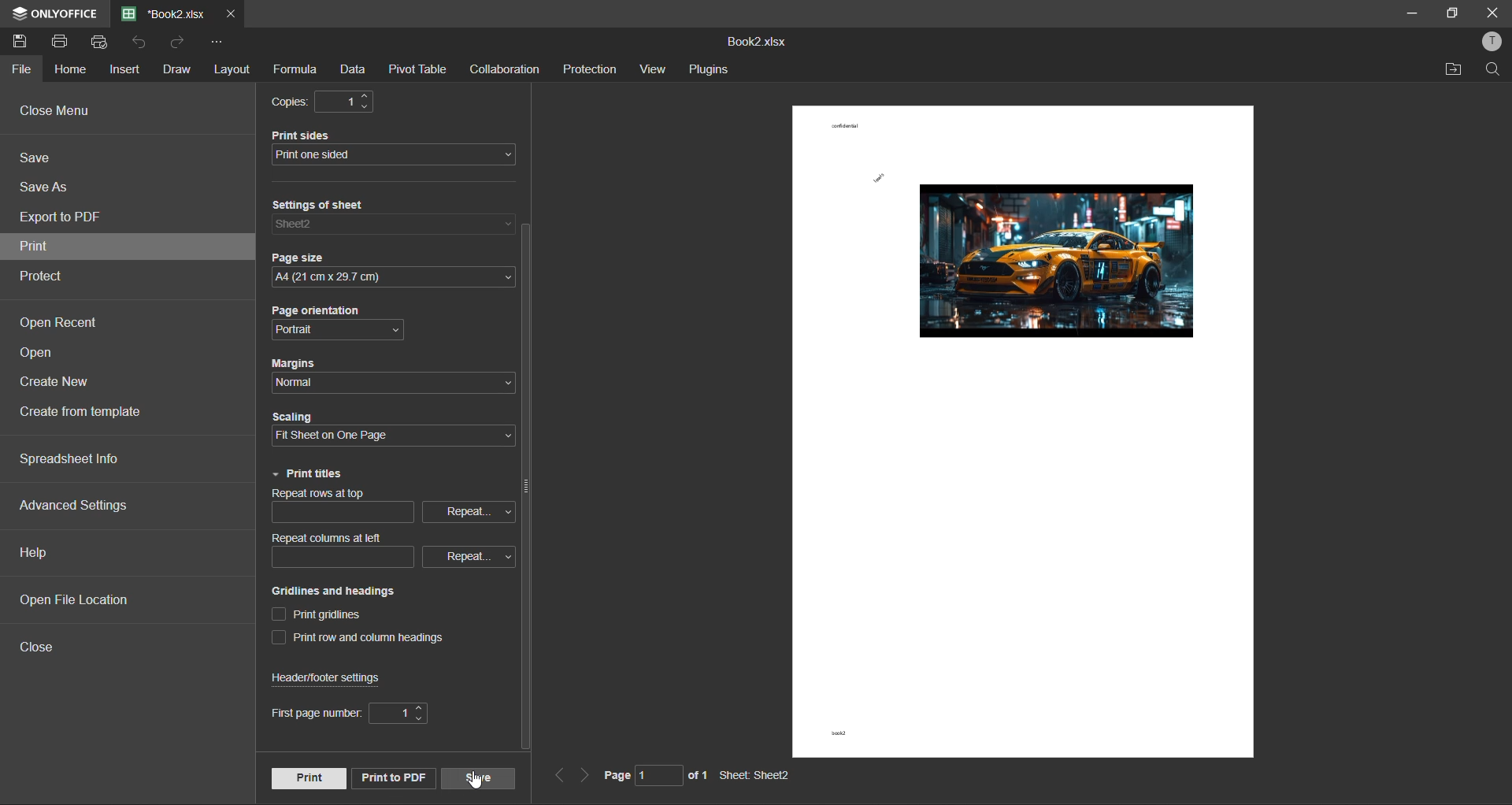  Describe the element at coordinates (353, 72) in the screenshot. I see `data` at that location.